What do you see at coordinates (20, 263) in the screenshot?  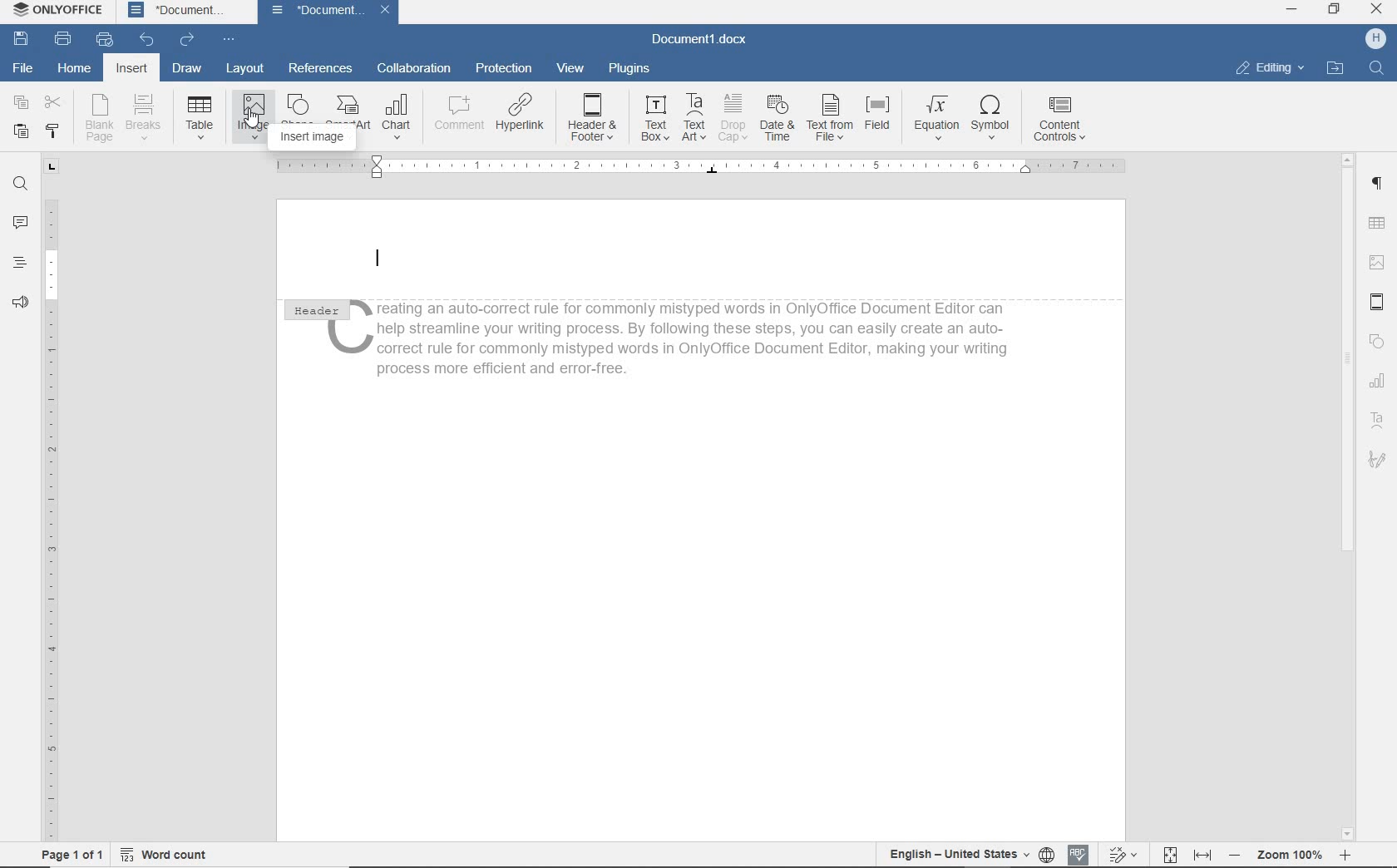 I see `HEADINGS` at bounding box center [20, 263].